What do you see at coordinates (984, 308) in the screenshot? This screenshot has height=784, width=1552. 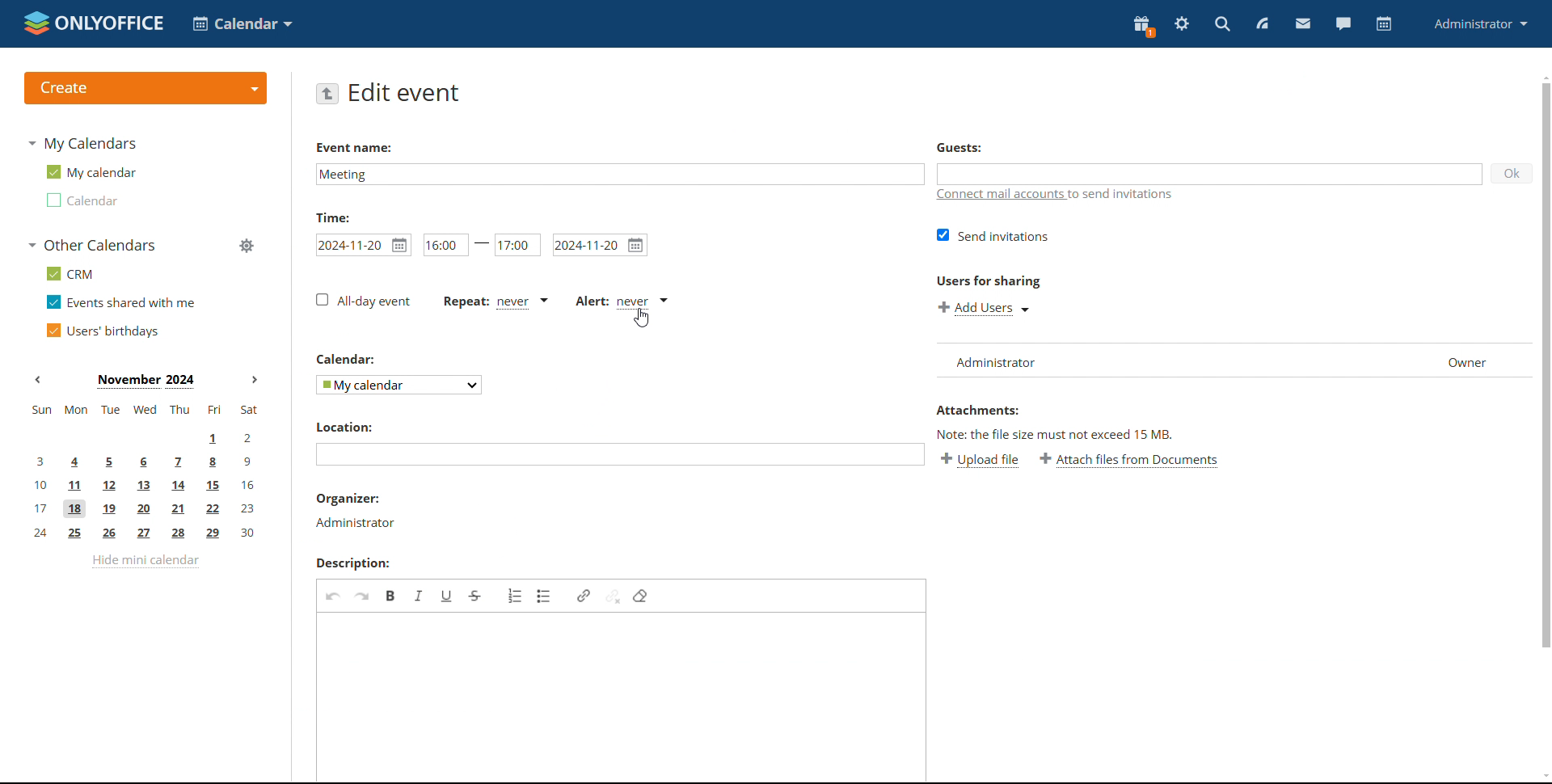 I see `add users` at bounding box center [984, 308].